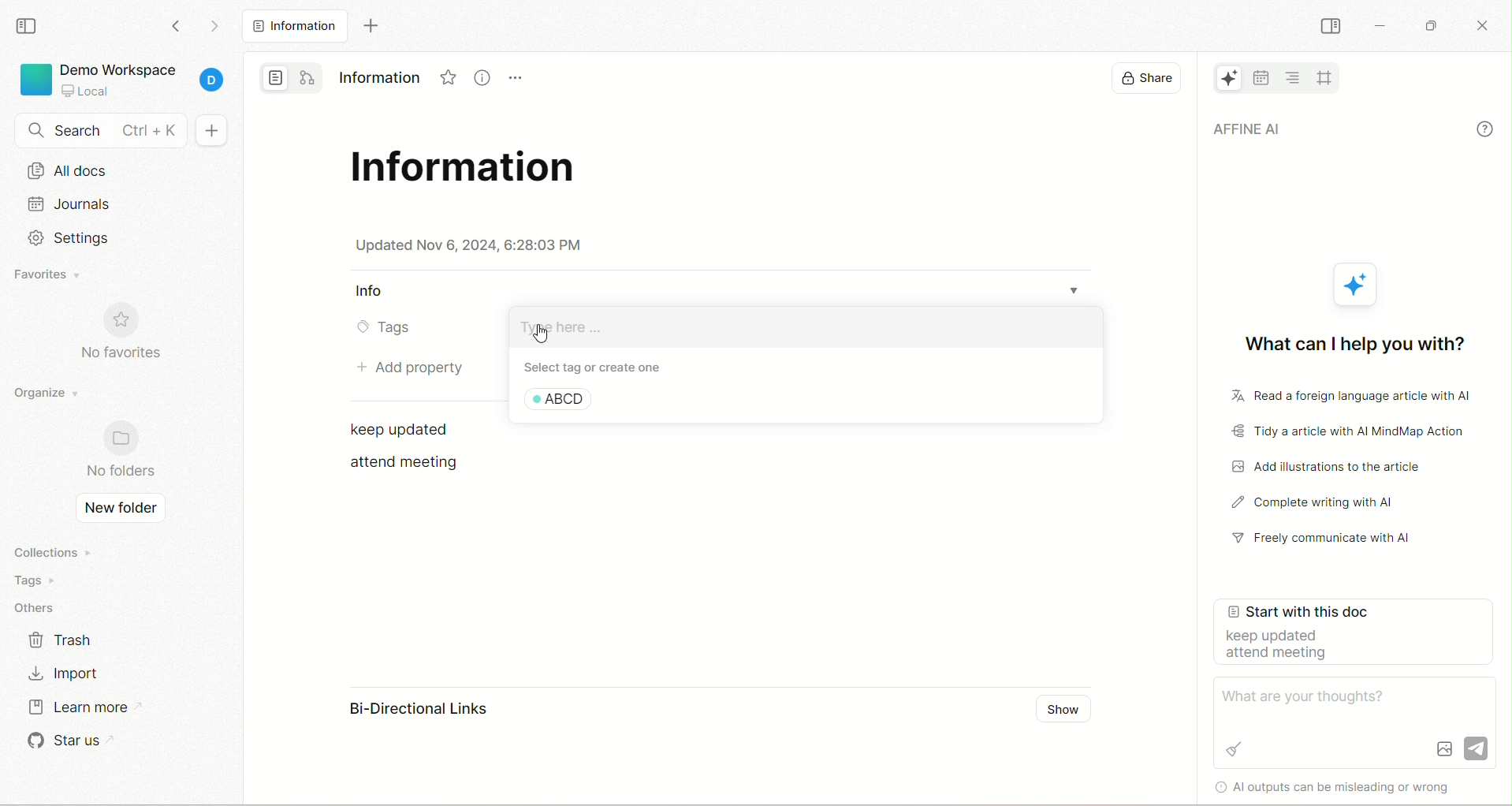  What do you see at coordinates (1434, 22) in the screenshot?
I see `maximize` at bounding box center [1434, 22].